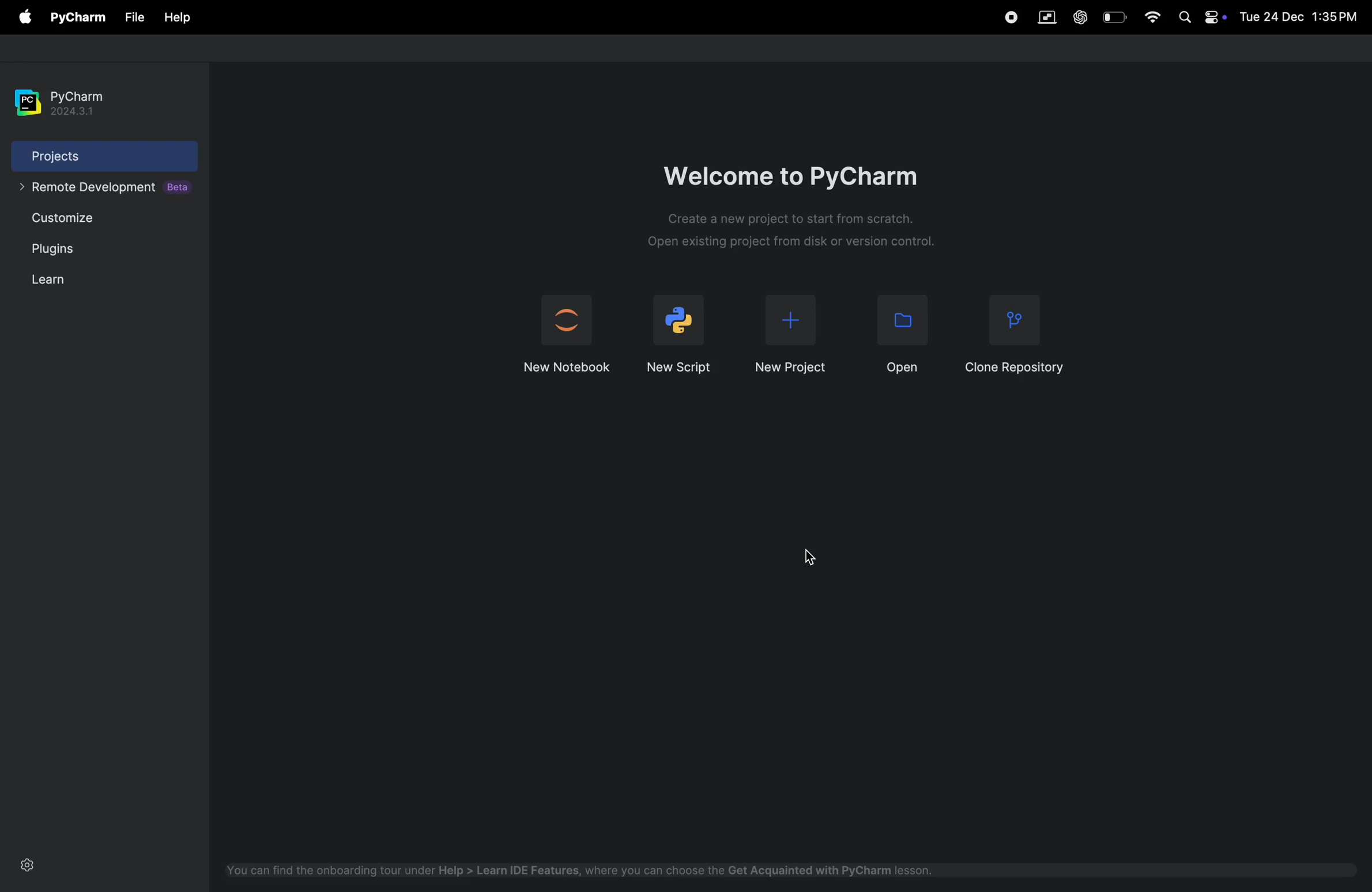 This screenshot has height=892, width=1372. What do you see at coordinates (63, 282) in the screenshot?
I see `learn` at bounding box center [63, 282].